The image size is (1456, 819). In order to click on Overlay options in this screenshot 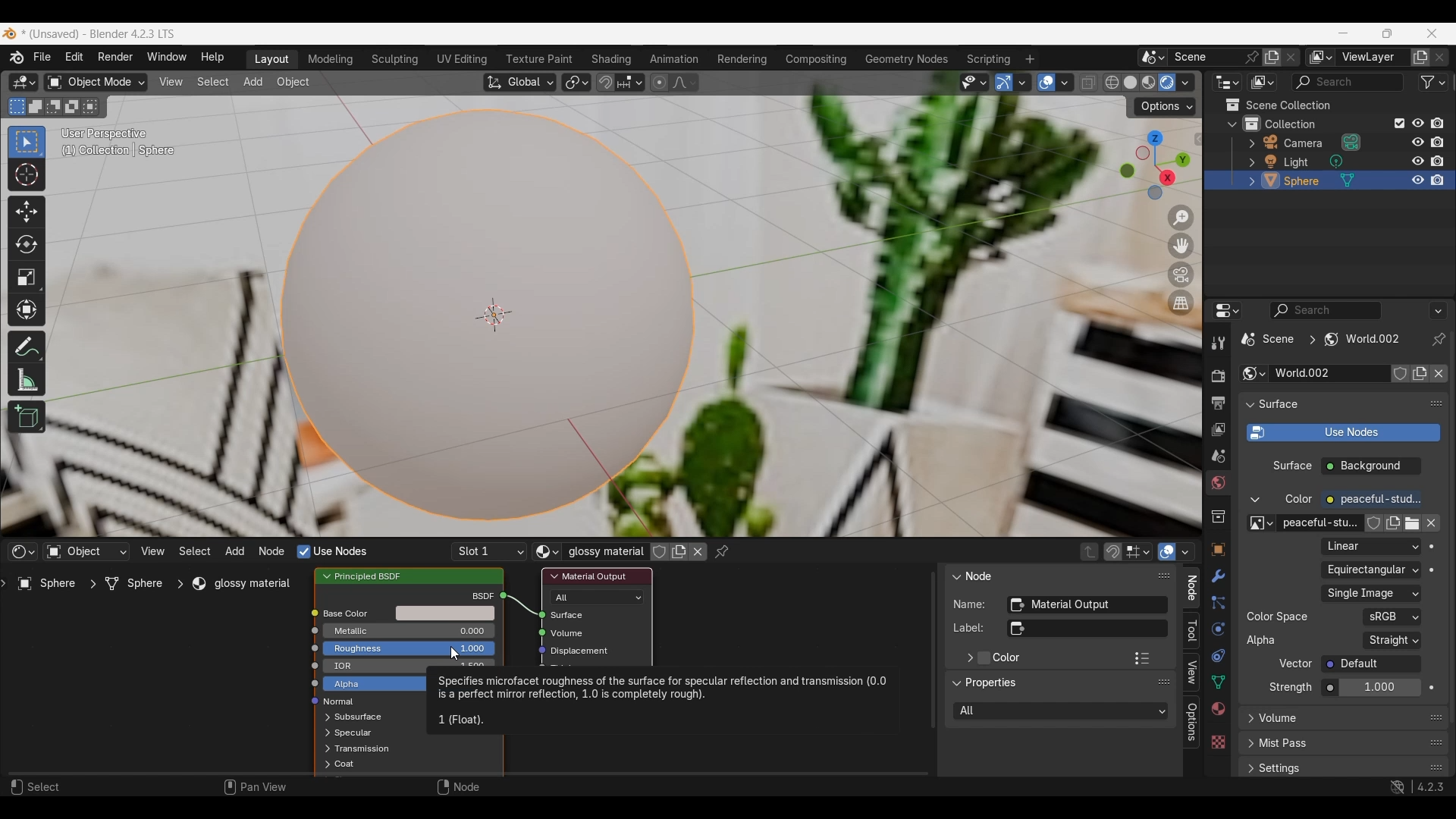, I will do `click(1065, 83)`.